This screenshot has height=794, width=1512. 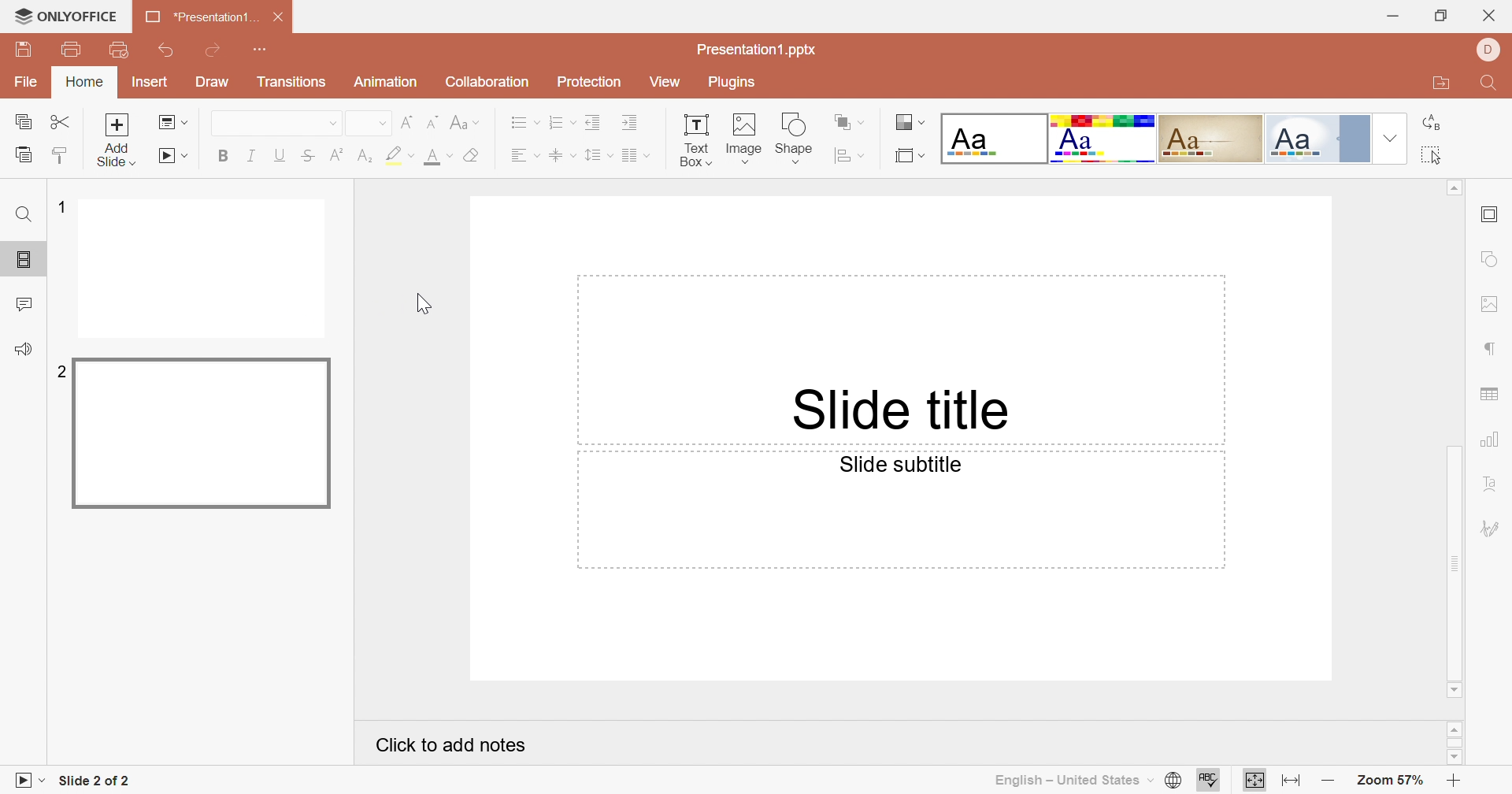 What do you see at coordinates (458, 123) in the screenshot?
I see `Change case` at bounding box center [458, 123].